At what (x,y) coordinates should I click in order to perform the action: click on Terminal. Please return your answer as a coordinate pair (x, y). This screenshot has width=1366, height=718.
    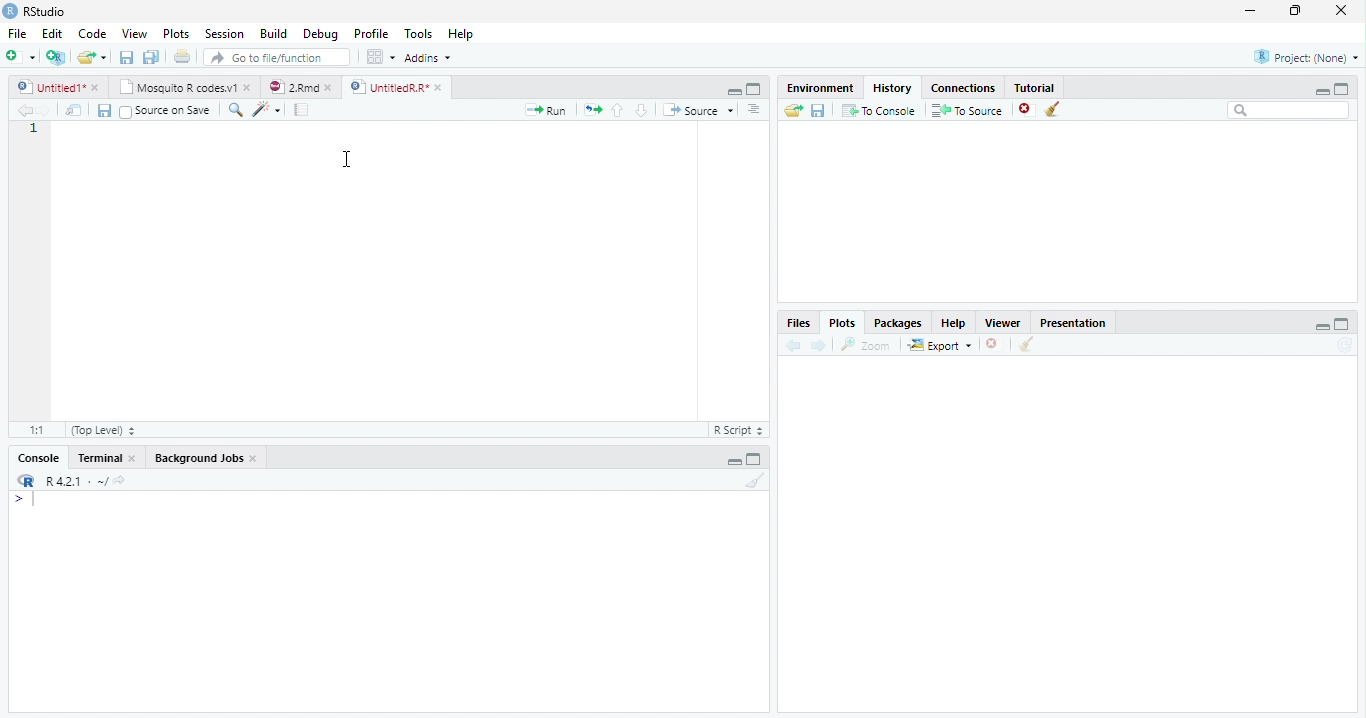
    Looking at the image, I should click on (106, 457).